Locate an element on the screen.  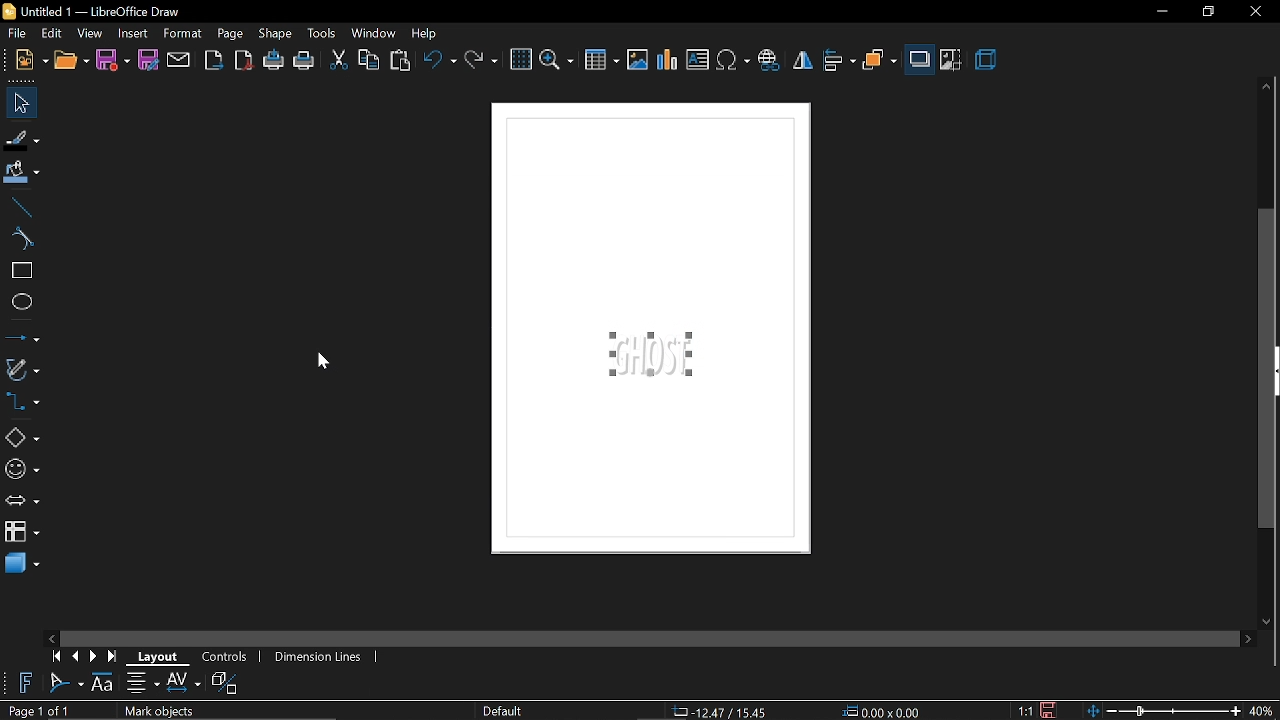
fontwork shape is located at coordinates (62, 685).